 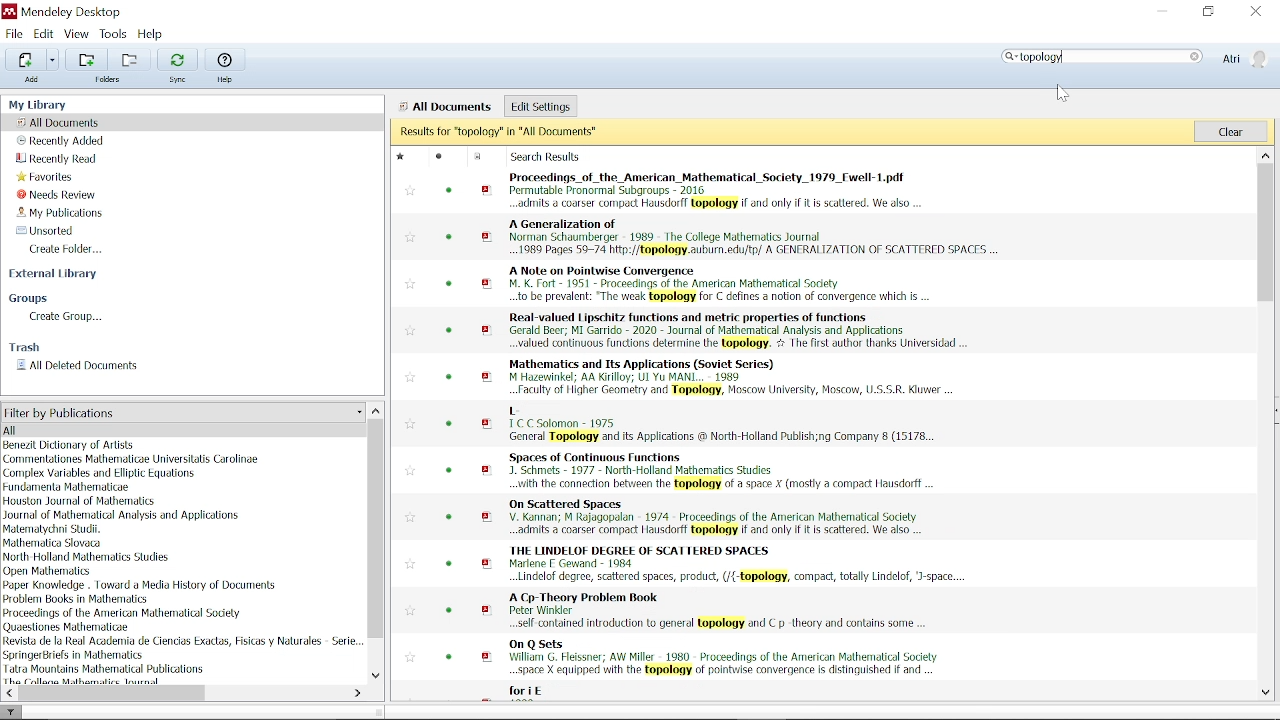 I want to click on Add folders, so click(x=89, y=60).